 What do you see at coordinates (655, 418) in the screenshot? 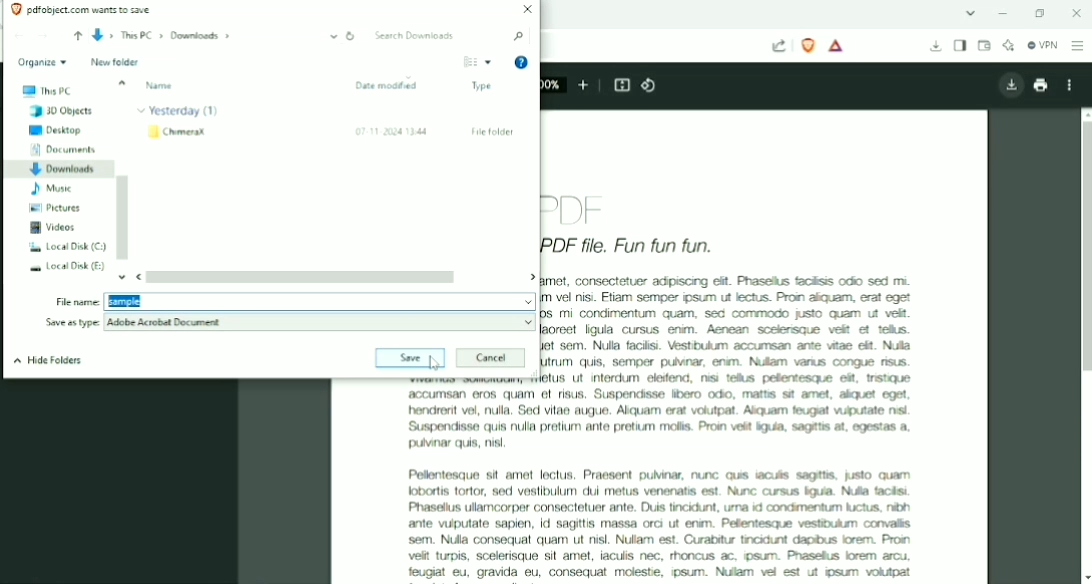
I see `accumsan eros quam of risus. Suspendisse hero odo, Mats st amet, akquet eget,
hendrerit vel, nulla. Sed vita augue. Aluam erat volutpat. Akcuam feugat wate ns
Suspendisse quis nulla prethim ant protium mols. Pron vel ku, sages at, egestas a.
Puviner quis, nisl,` at bounding box center [655, 418].